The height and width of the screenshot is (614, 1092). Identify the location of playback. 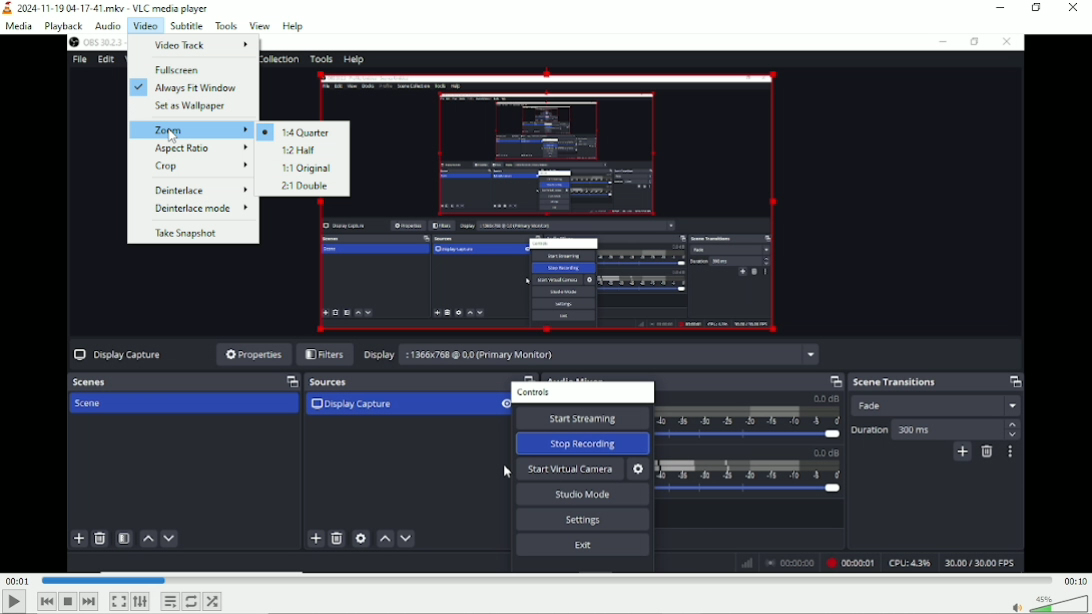
(63, 26).